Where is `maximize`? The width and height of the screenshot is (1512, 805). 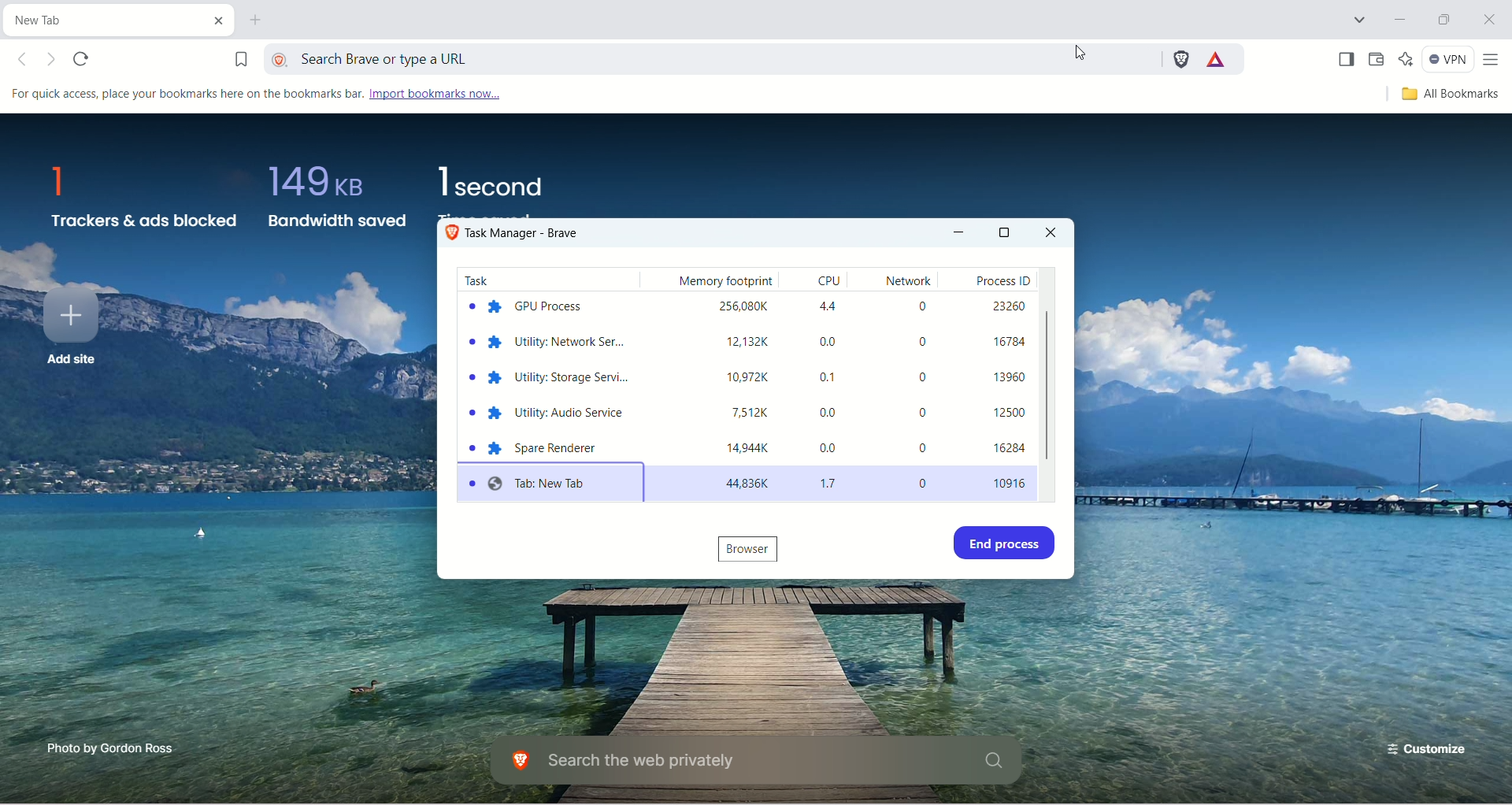 maximize is located at coordinates (1005, 231).